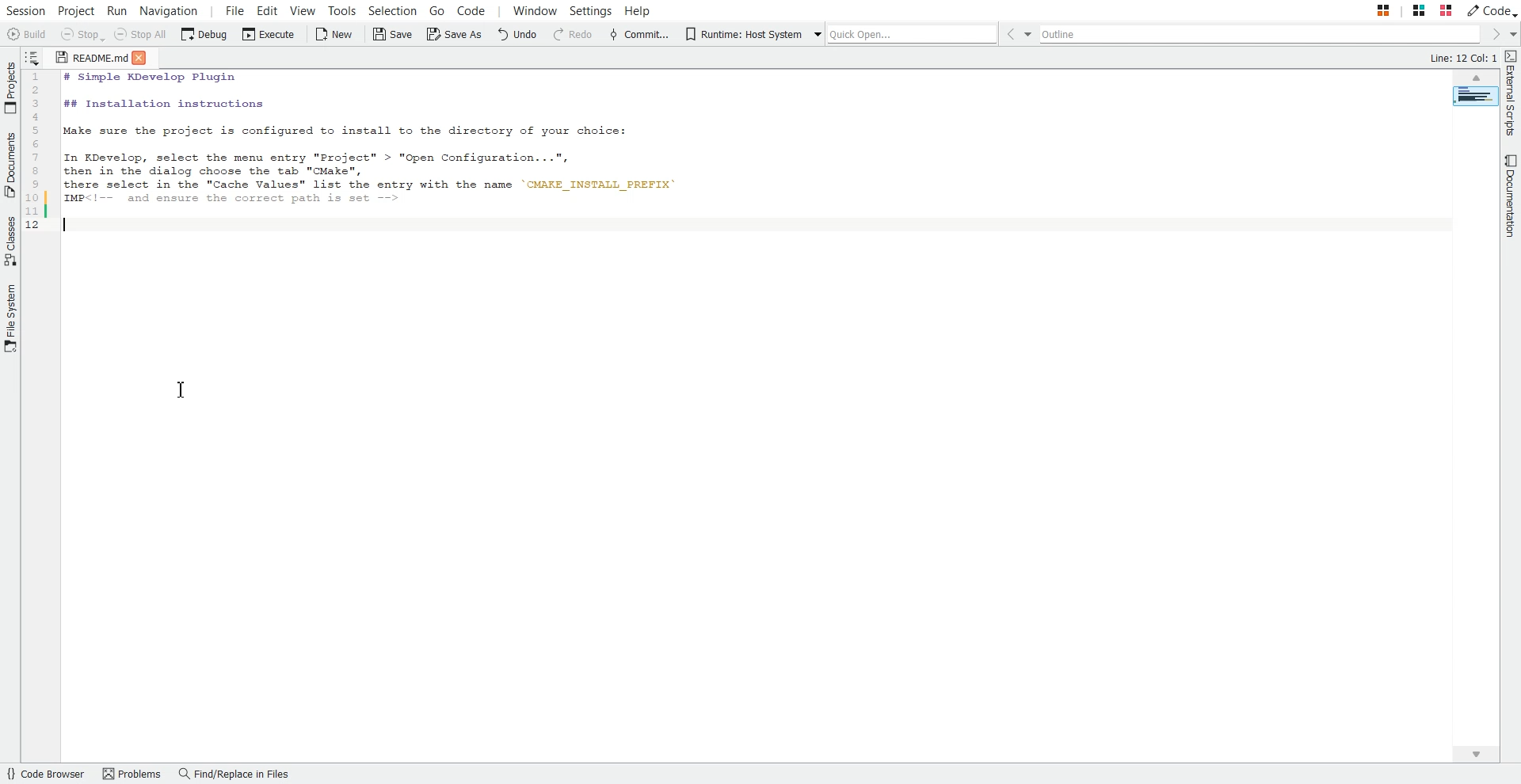 The height and width of the screenshot is (784, 1521). Describe the element at coordinates (223, 171) in the screenshot. I see `then in the dialog choose the tab "CMake",` at that location.